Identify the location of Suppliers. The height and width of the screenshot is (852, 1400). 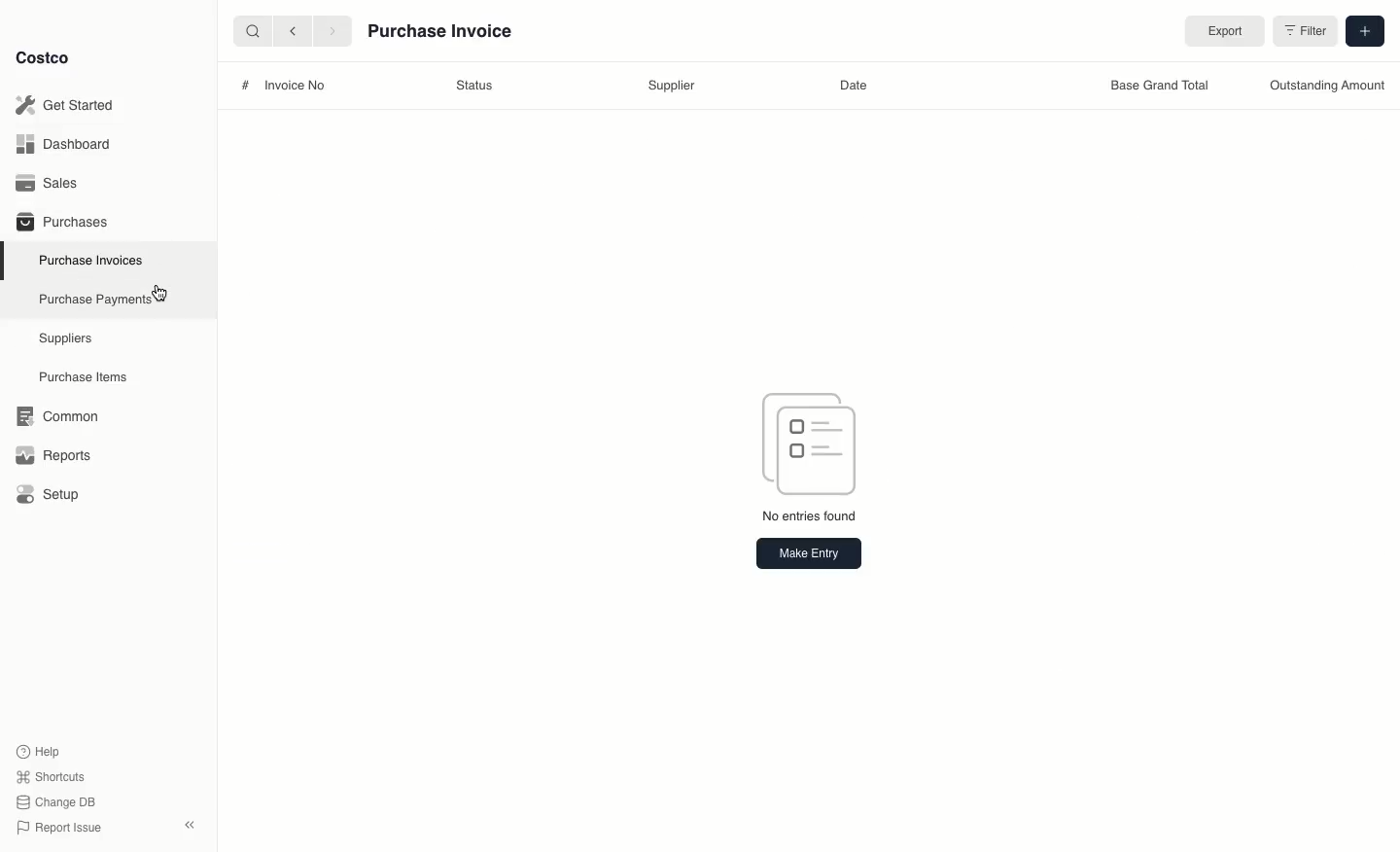
(66, 337).